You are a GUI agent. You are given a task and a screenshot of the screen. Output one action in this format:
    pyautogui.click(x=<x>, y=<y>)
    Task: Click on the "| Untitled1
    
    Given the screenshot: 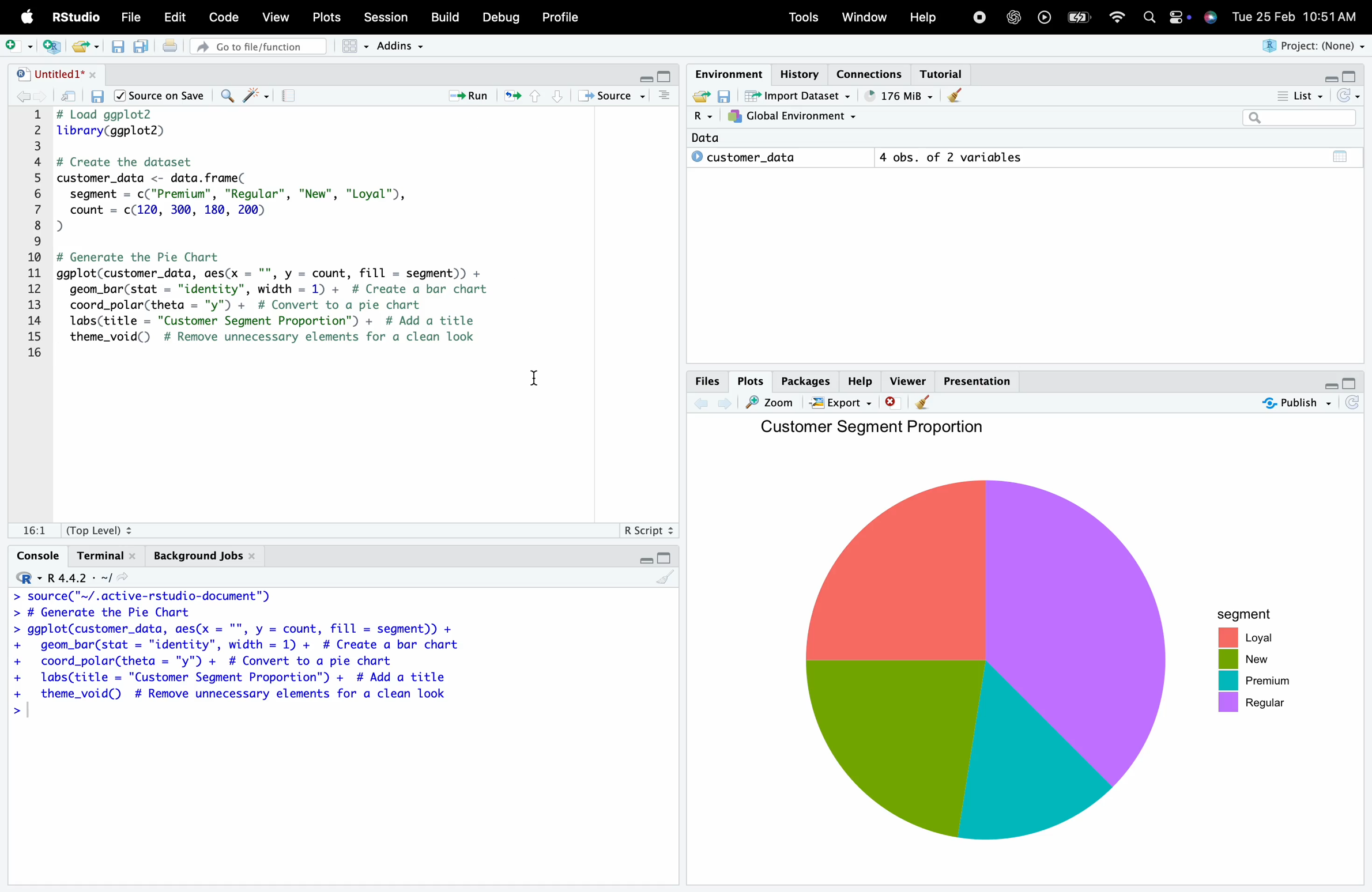 What is the action you would take?
    pyautogui.click(x=55, y=75)
    